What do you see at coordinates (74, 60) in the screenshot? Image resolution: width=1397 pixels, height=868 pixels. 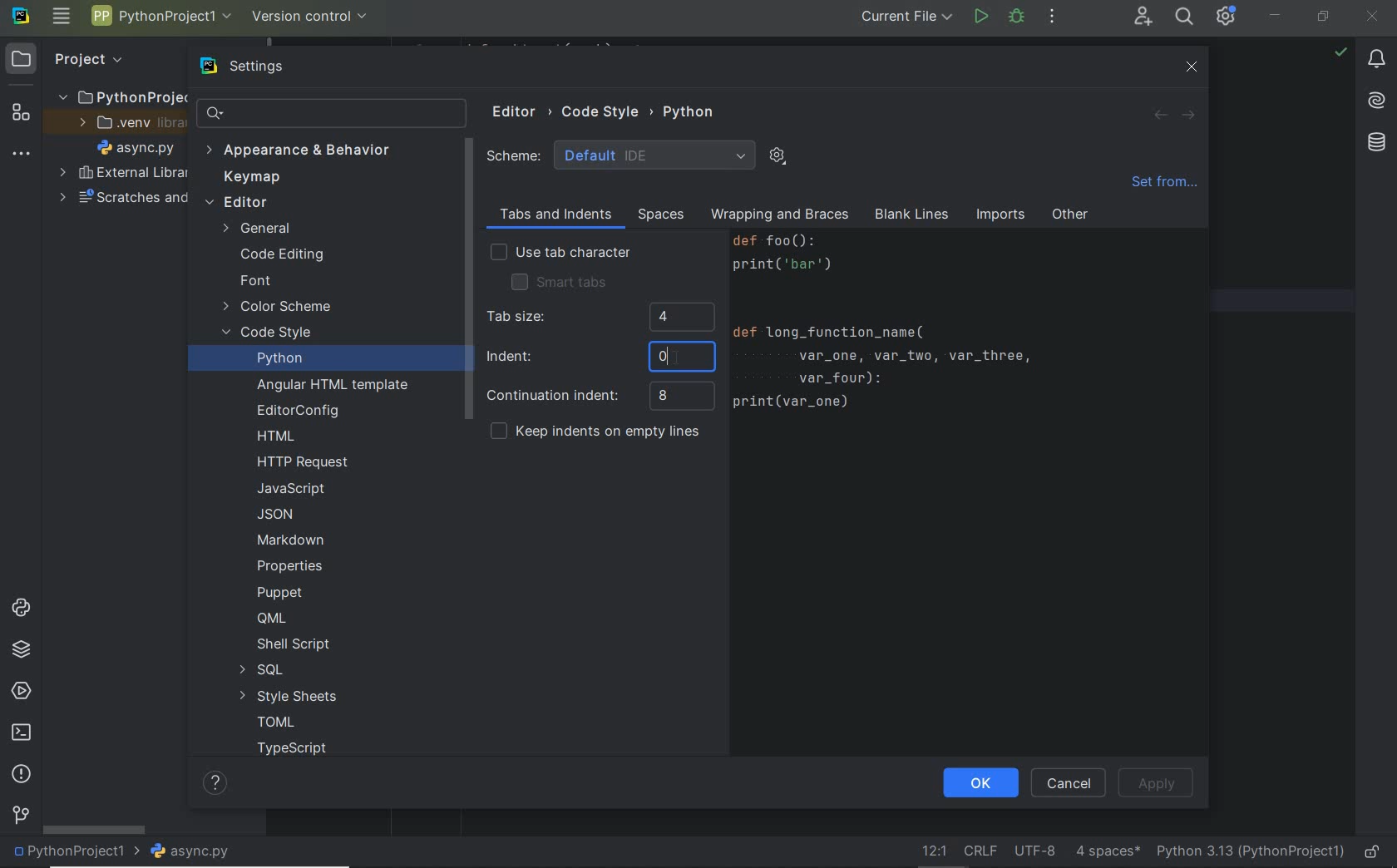 I see `Project` at bounding box center [74, 60].